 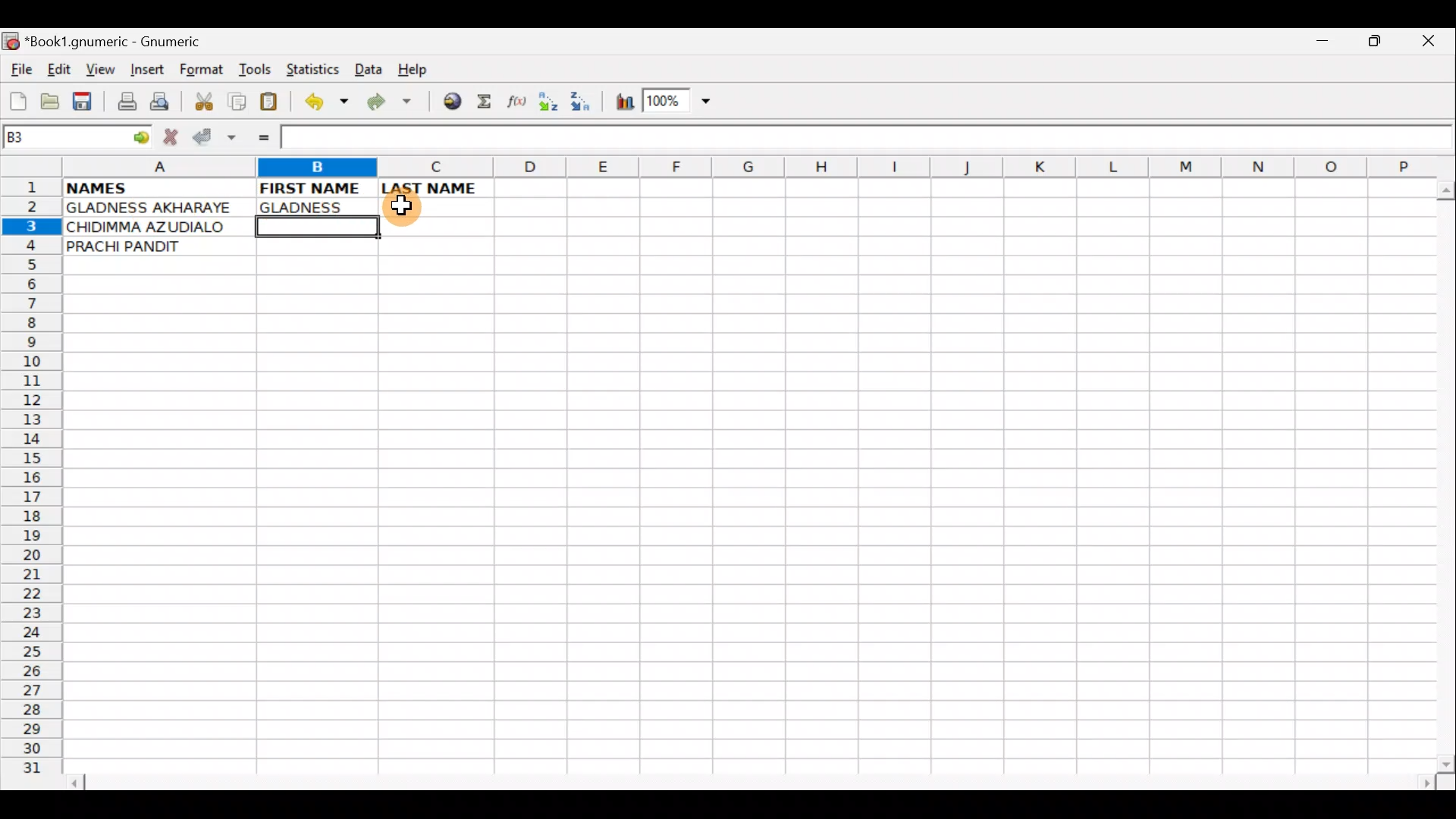 I want to click on Scroll bar, so click(x=1442, y=473).